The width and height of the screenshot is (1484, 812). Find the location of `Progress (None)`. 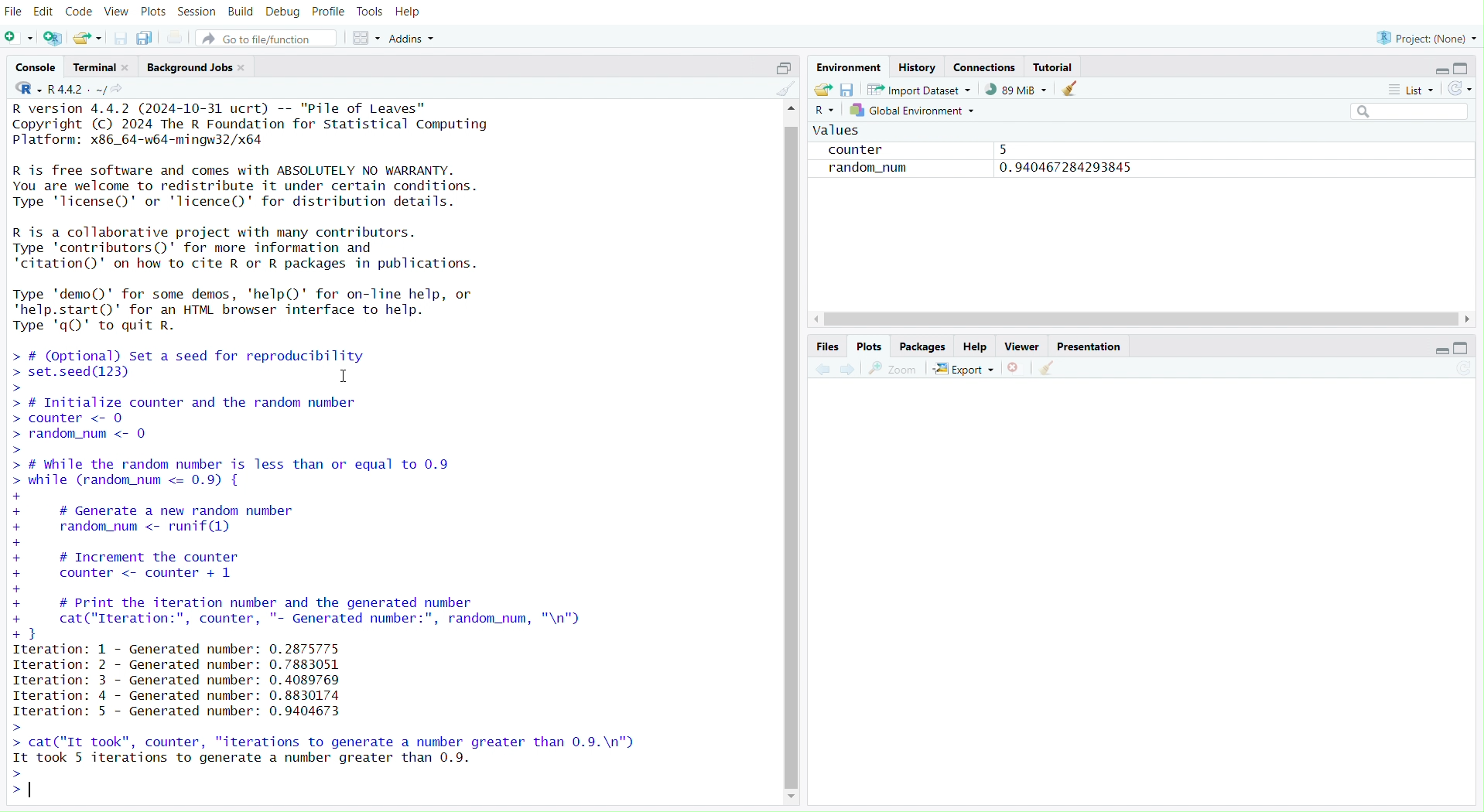

Progress (None) is located at coordinates (1428, 36).